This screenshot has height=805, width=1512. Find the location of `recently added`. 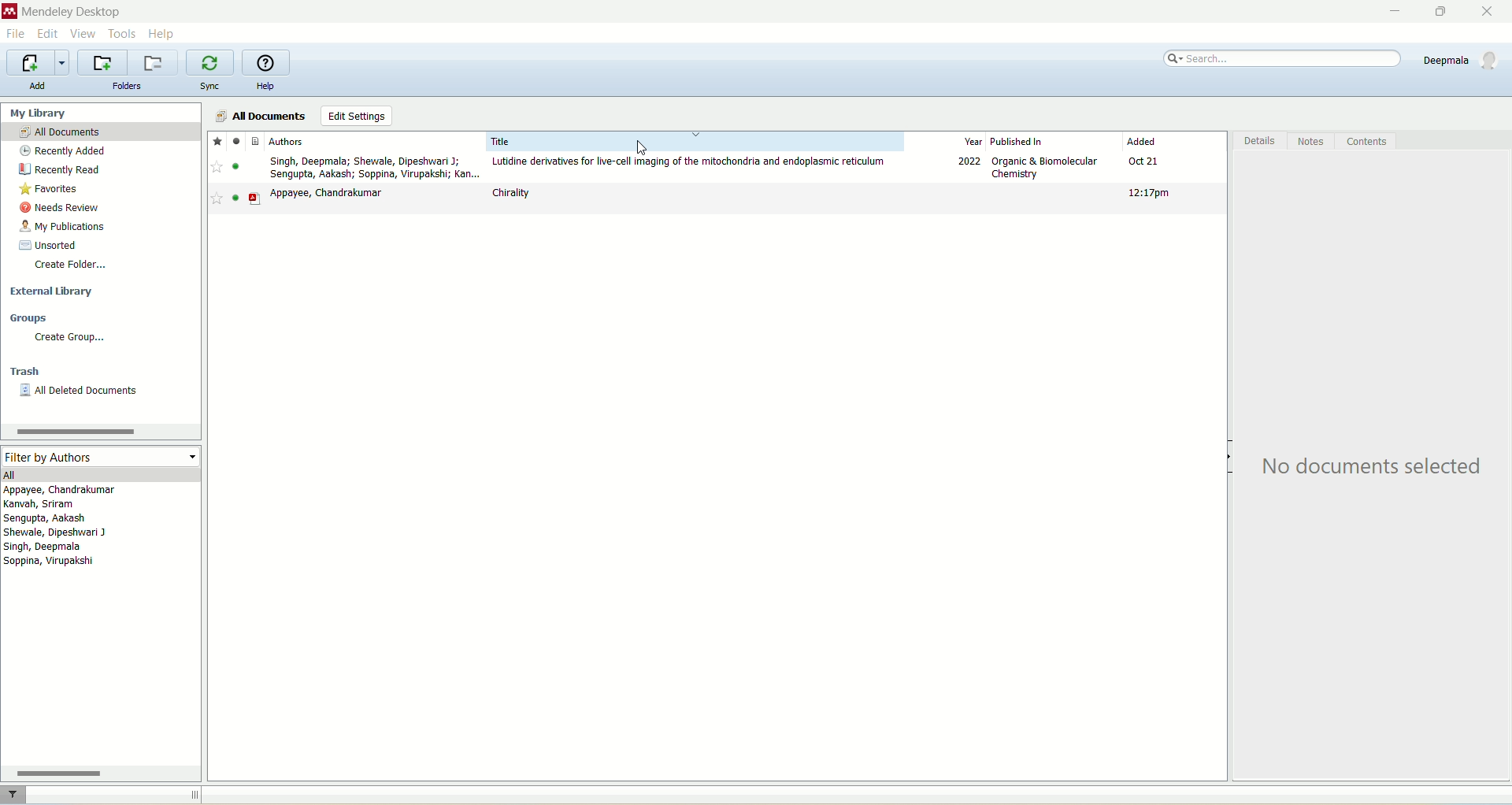

recently added is located at coordinates (69, 150).